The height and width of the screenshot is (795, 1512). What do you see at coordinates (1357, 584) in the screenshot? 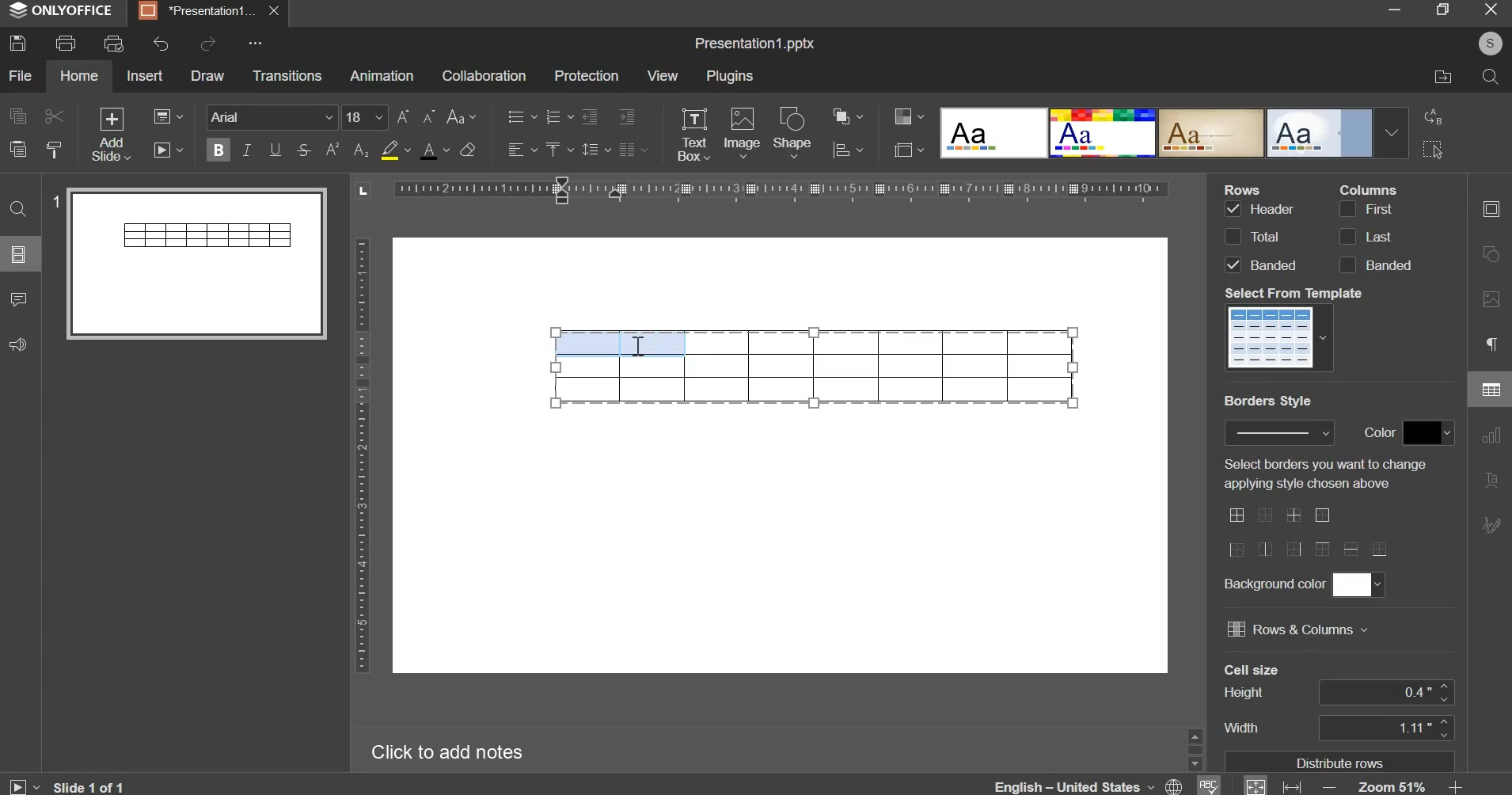
I see `background color` at bounding box center [1357, 584].